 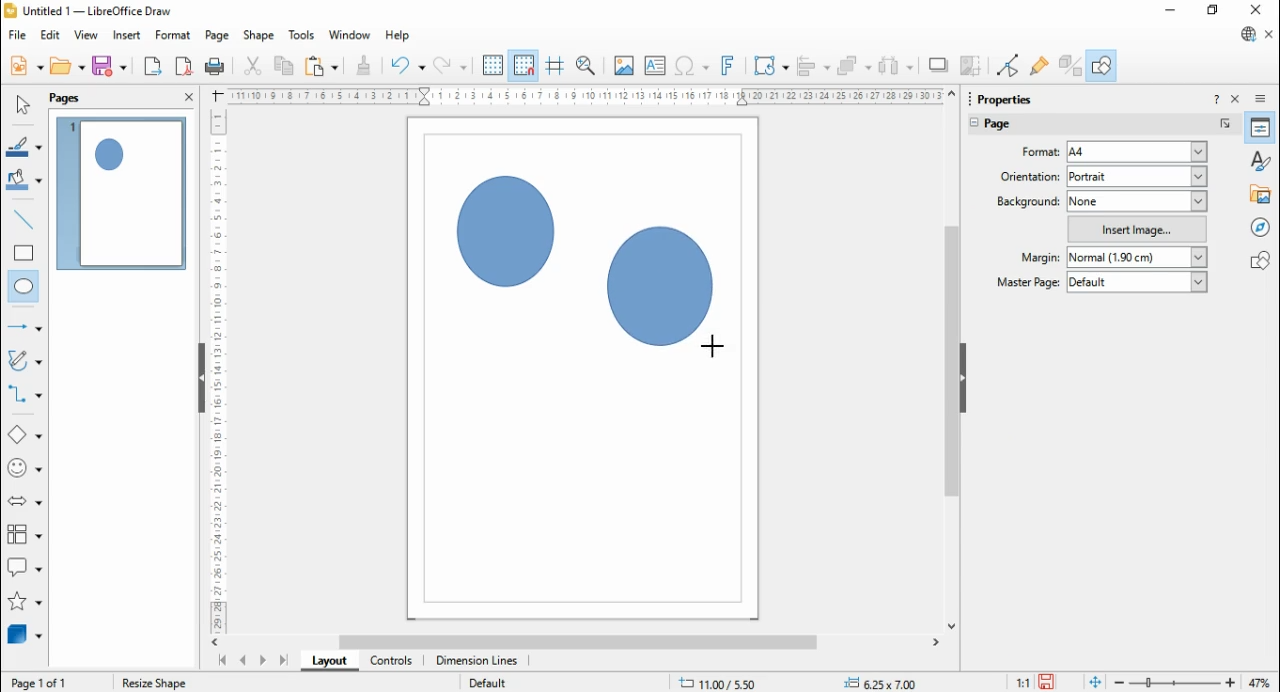 I want to click on rectangle, so click(x=24, y=252).